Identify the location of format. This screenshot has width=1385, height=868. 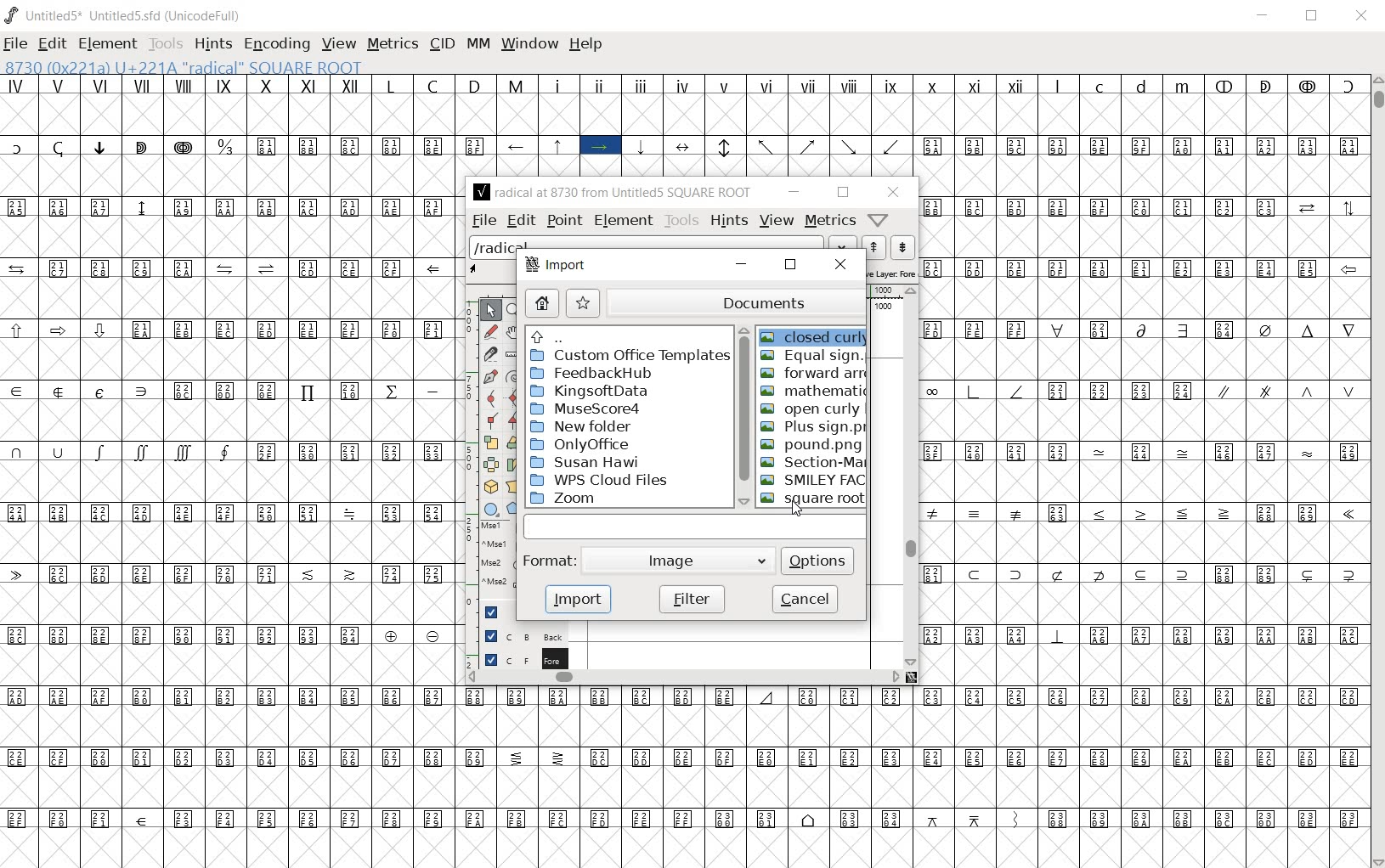
(550, 561).